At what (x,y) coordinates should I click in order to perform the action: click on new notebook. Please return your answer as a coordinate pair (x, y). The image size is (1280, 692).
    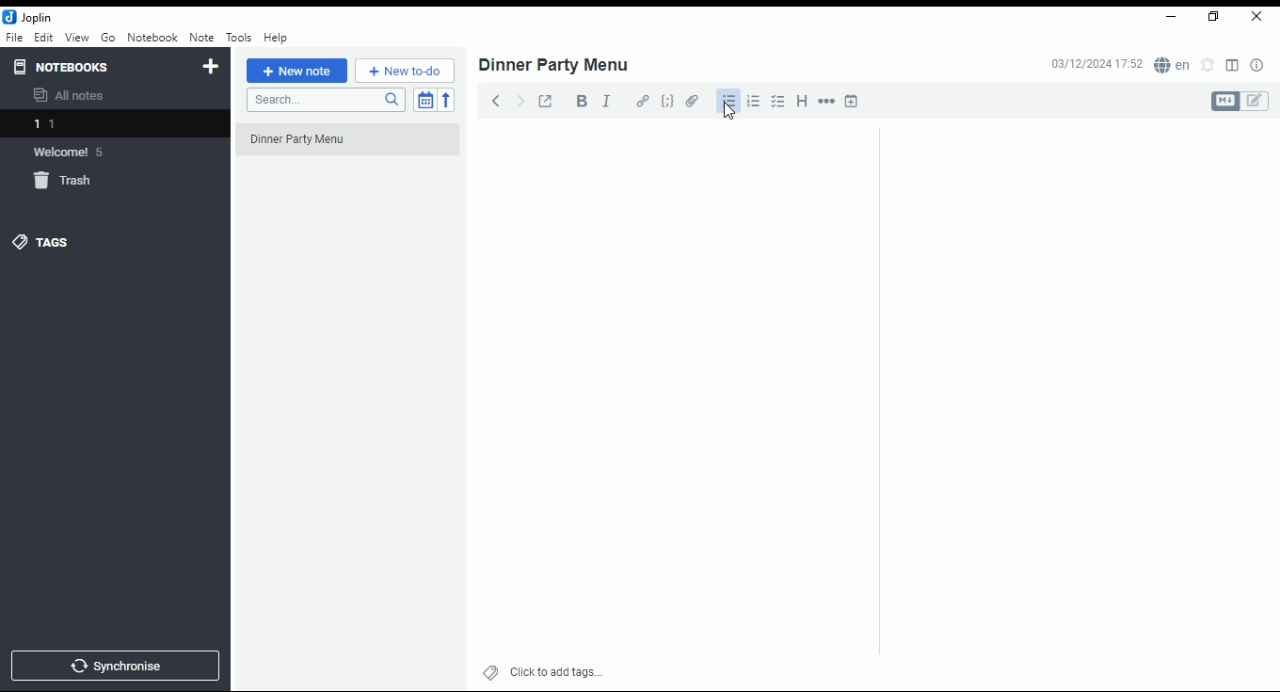
    Looking at the image, I should click on (211, 67).